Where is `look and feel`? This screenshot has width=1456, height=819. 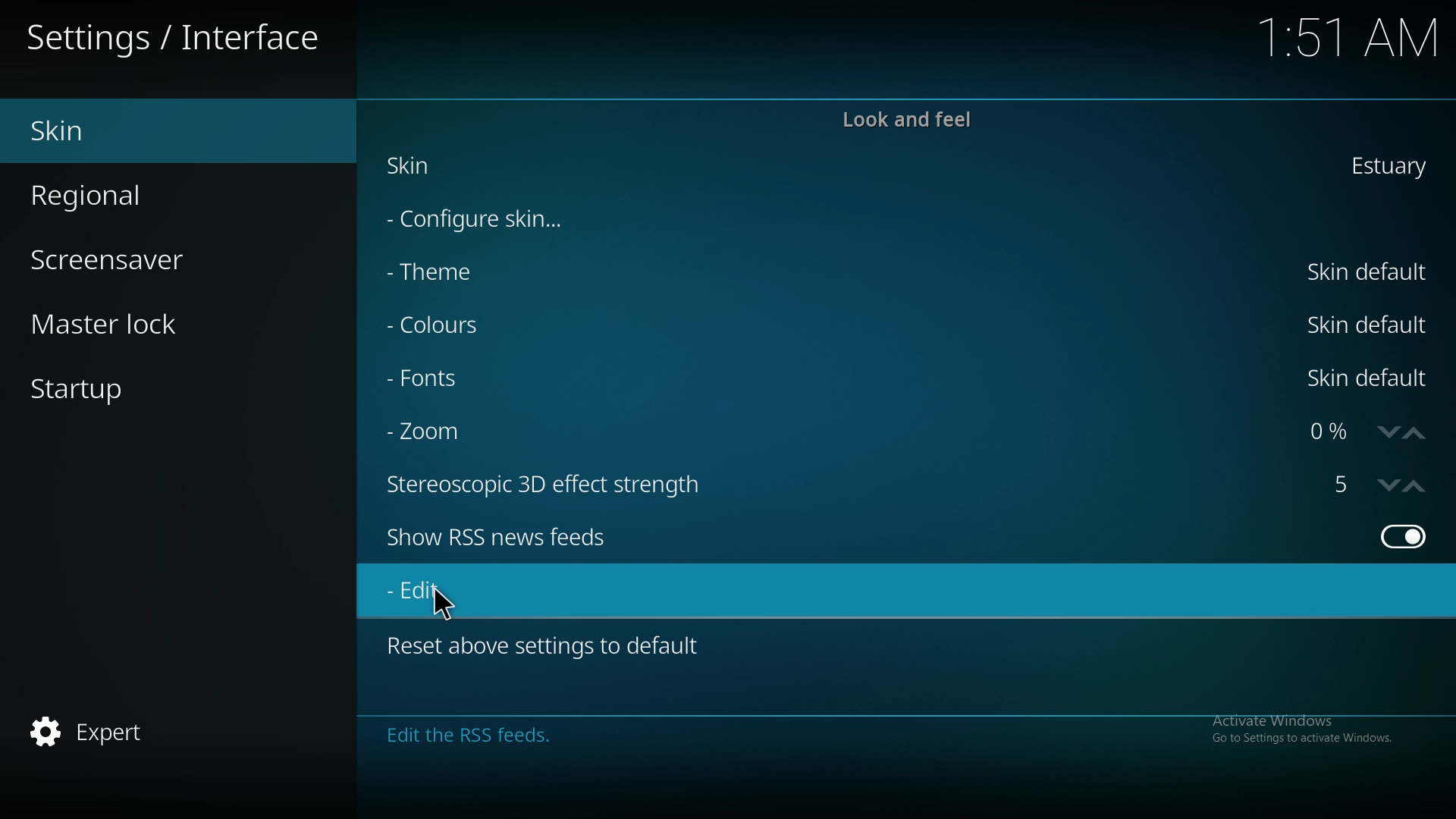
look and feel is located at coordinates (907, 119).